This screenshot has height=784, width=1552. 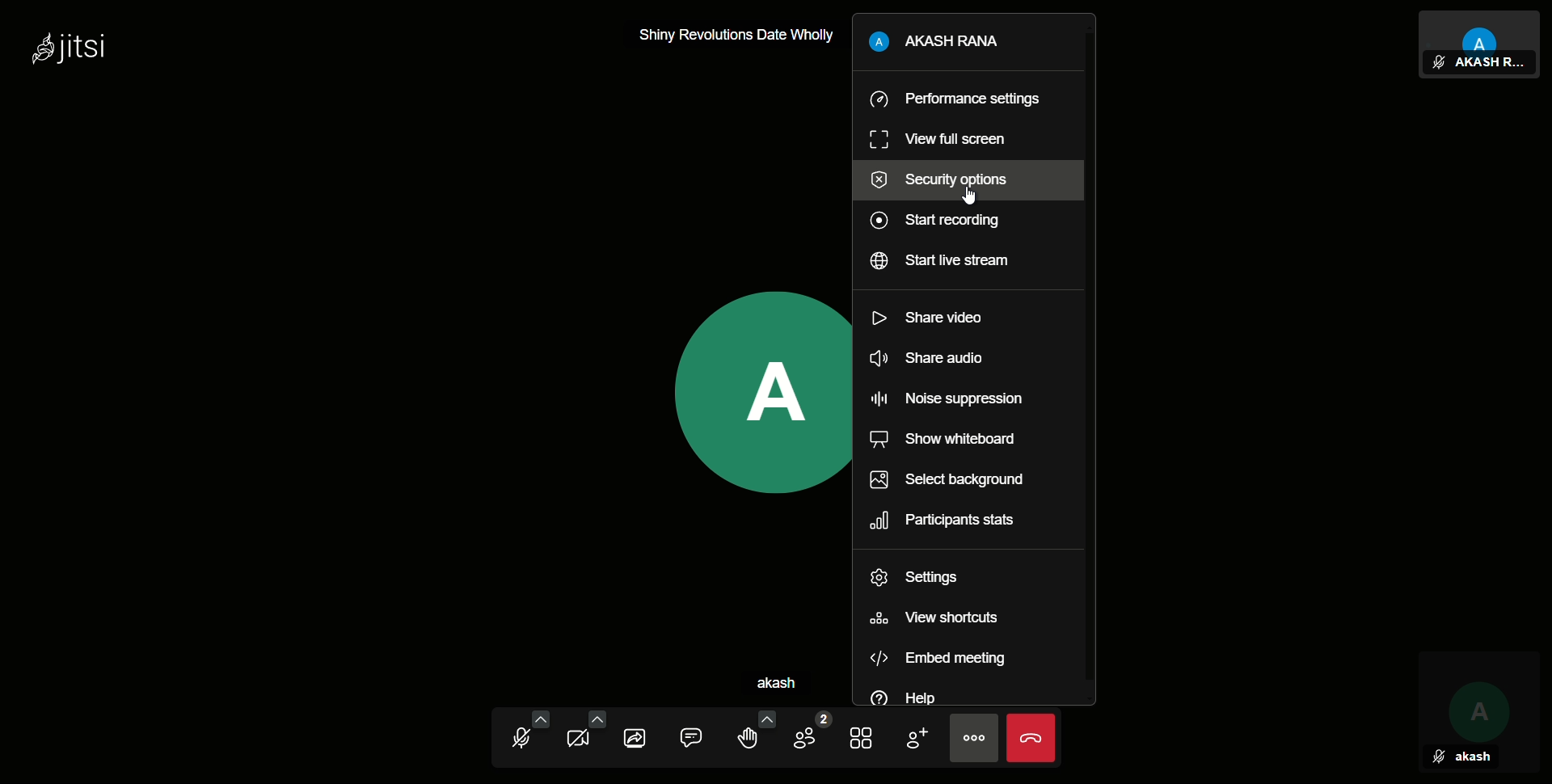 I want to click on settings, so click(x=914, y=580).